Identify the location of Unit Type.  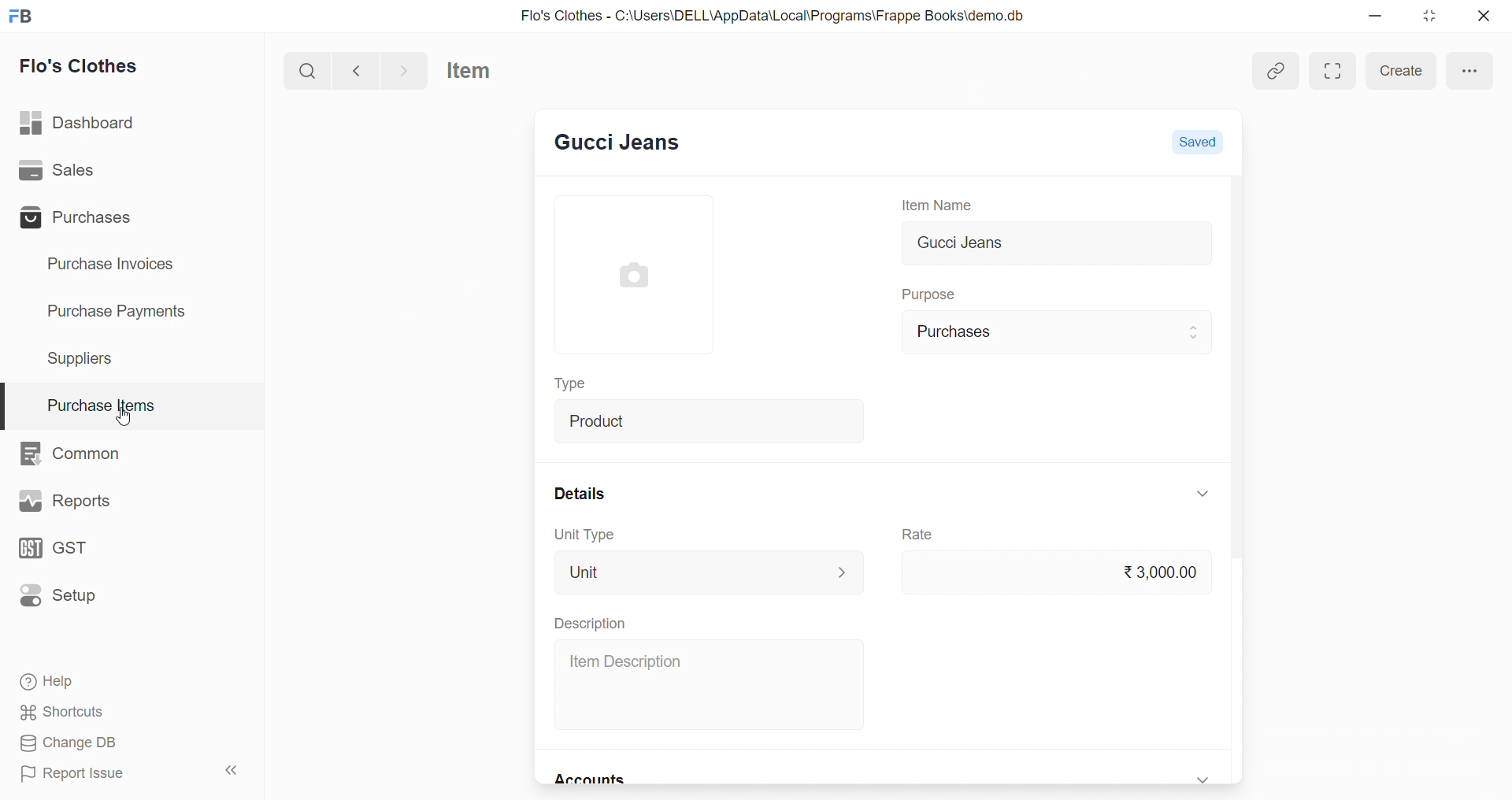
(583, 535).